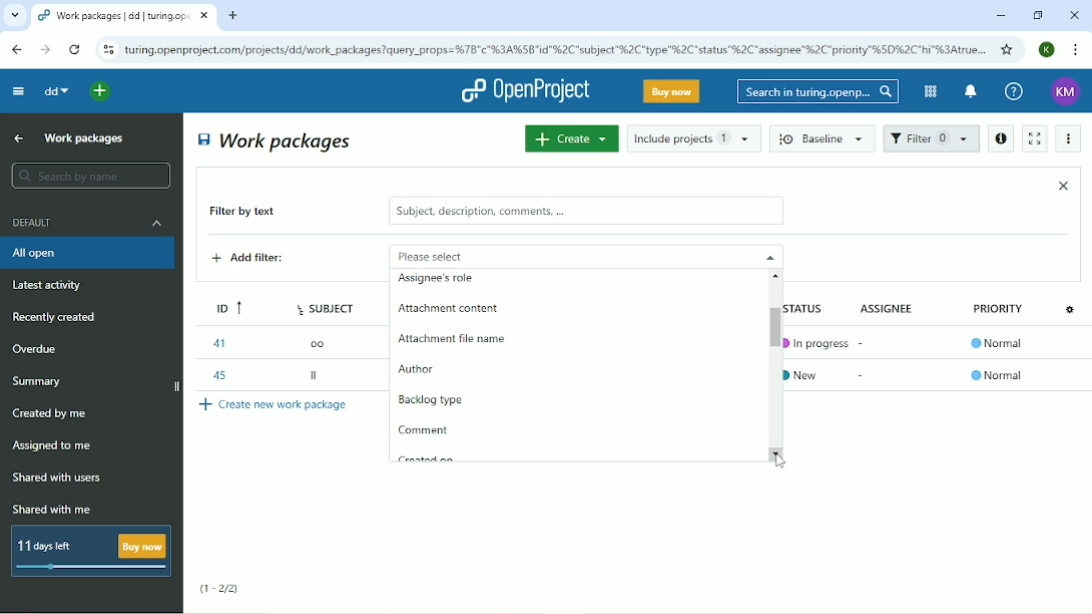 The height and width of the screenshot is (614, 1092). Describe the element at coordinates (969, 93) in the screenshot. I see `To notification center` at that location.